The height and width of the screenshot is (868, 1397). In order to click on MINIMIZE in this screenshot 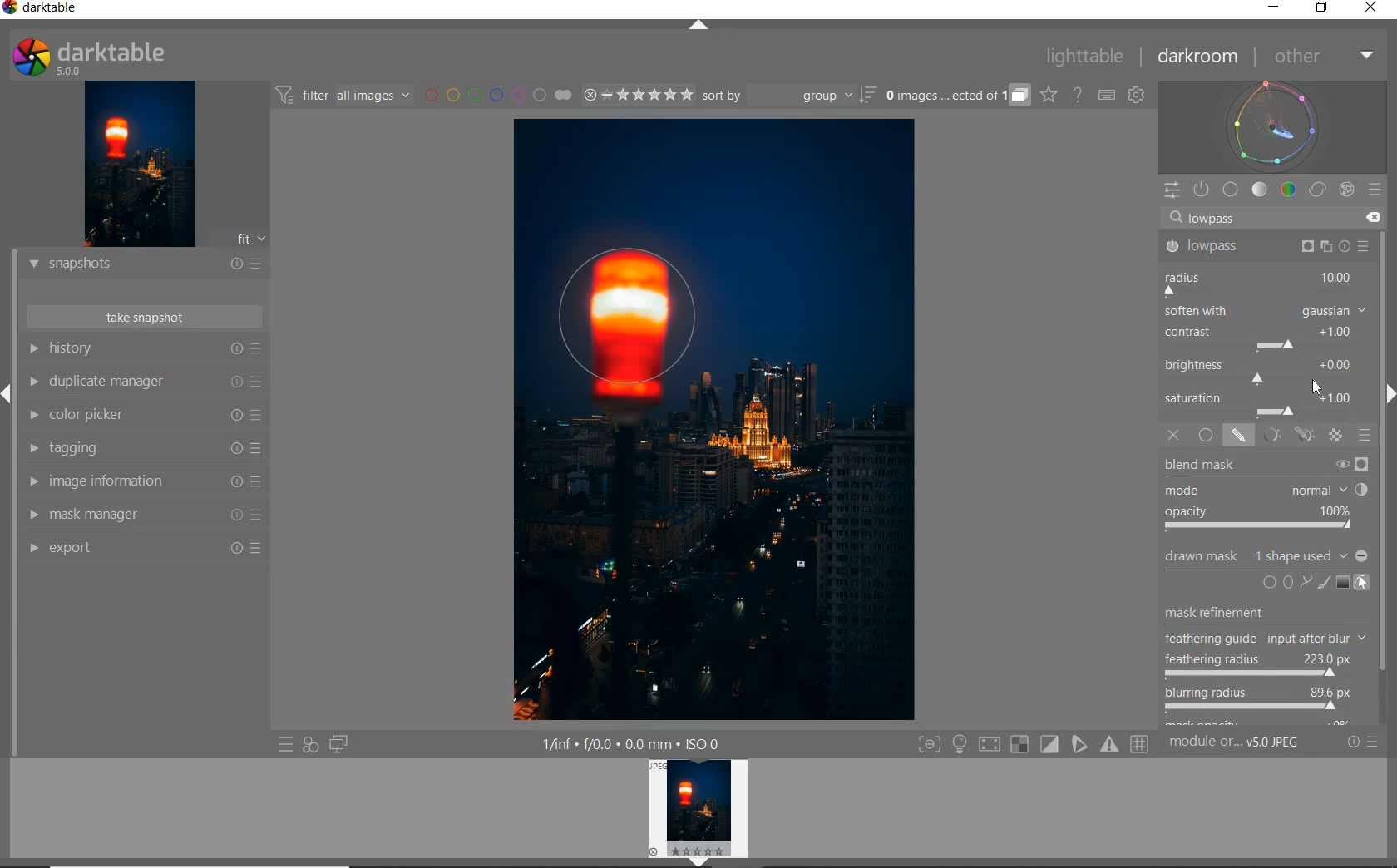, I will do `click(1271, 8)`.